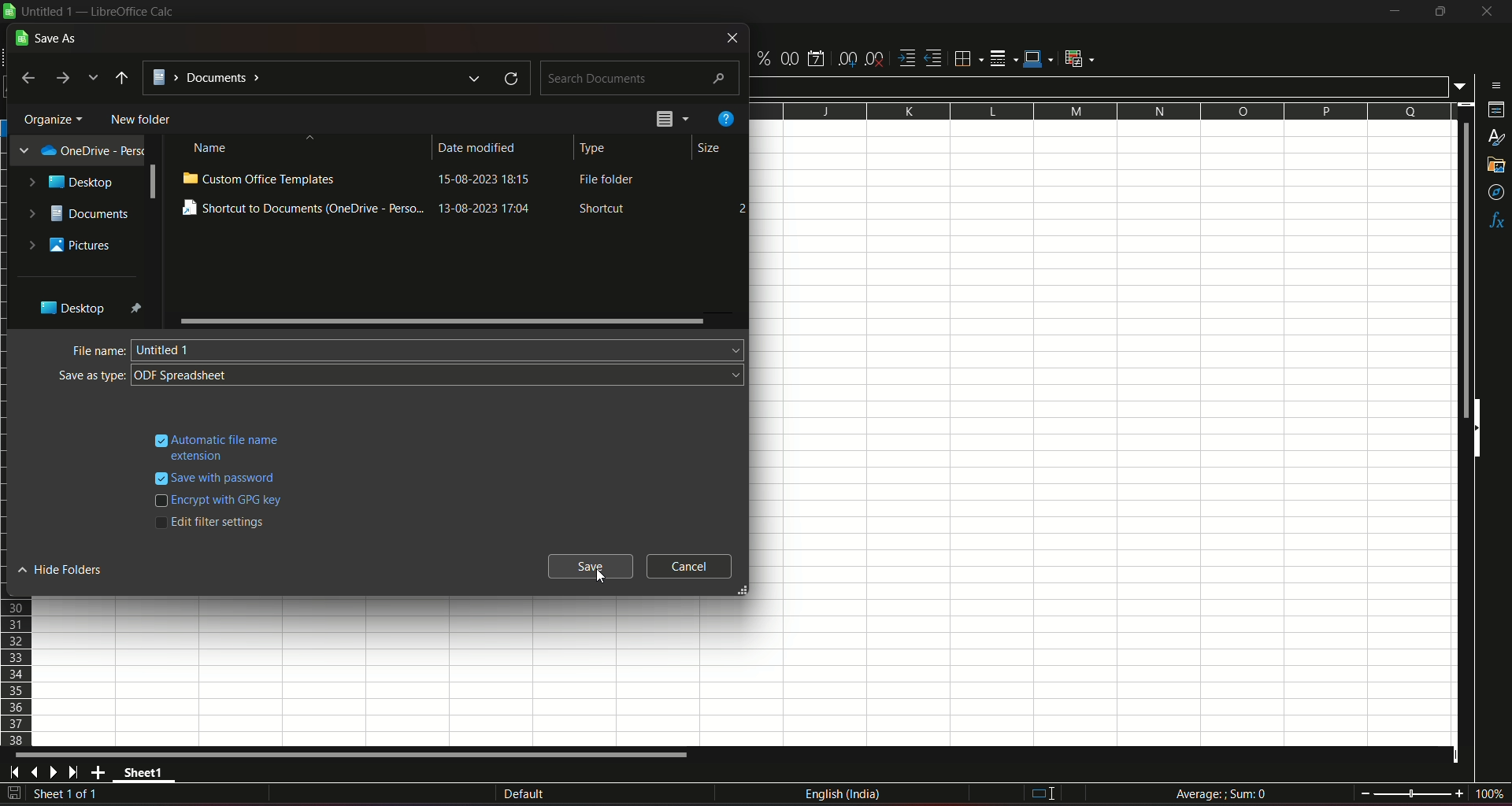 This screenshot has height=806, width=1512. What do you see at coordinates (101, 13) in the screenshot?
I see `untitled 1- libreoffice calc` at bounding box center [101, 13].